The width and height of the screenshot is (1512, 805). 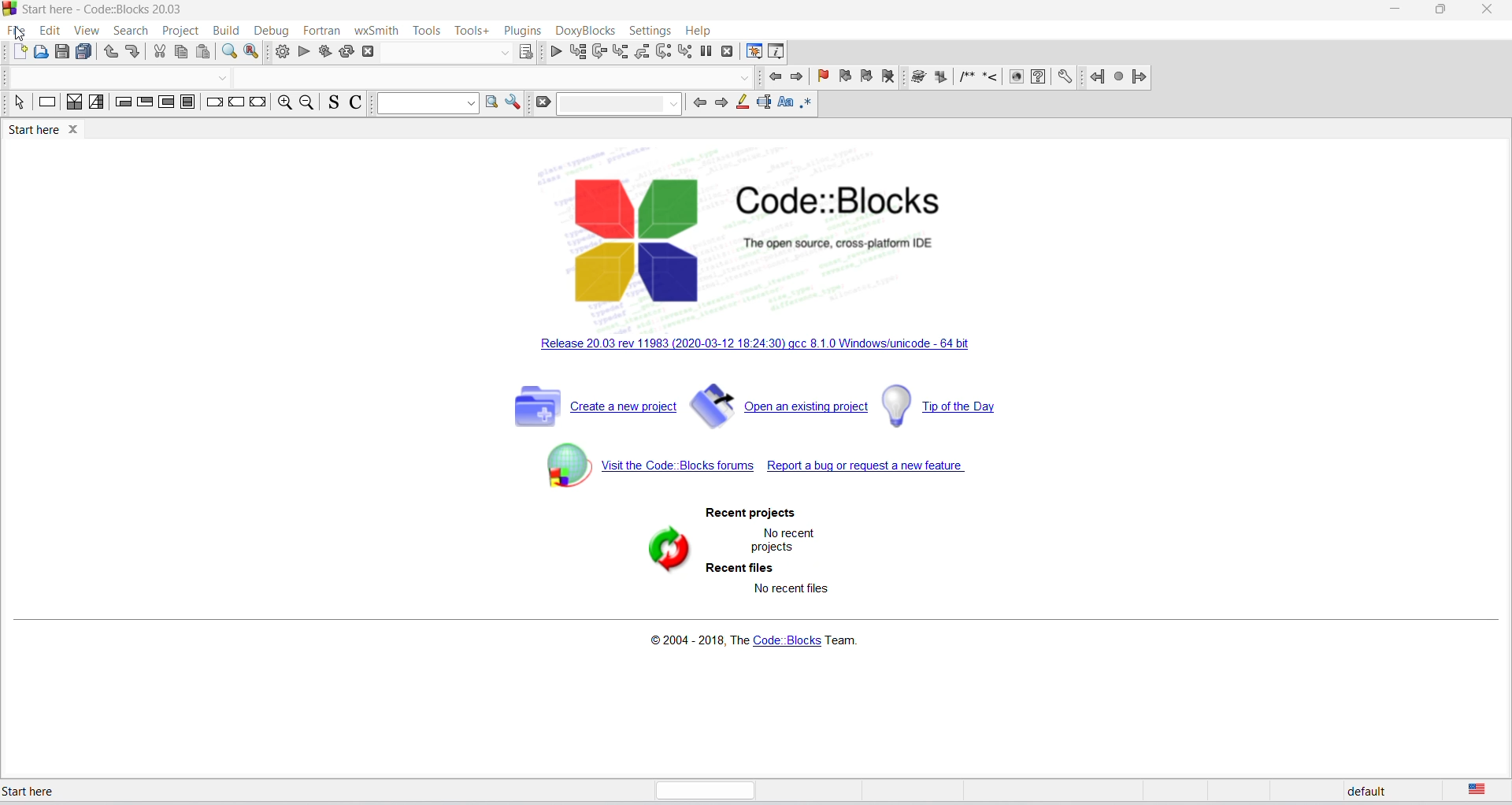 What do you see at coordinates (746, 78) in the screenshot?
I see `dropdown` at bounding box center [746, 78].